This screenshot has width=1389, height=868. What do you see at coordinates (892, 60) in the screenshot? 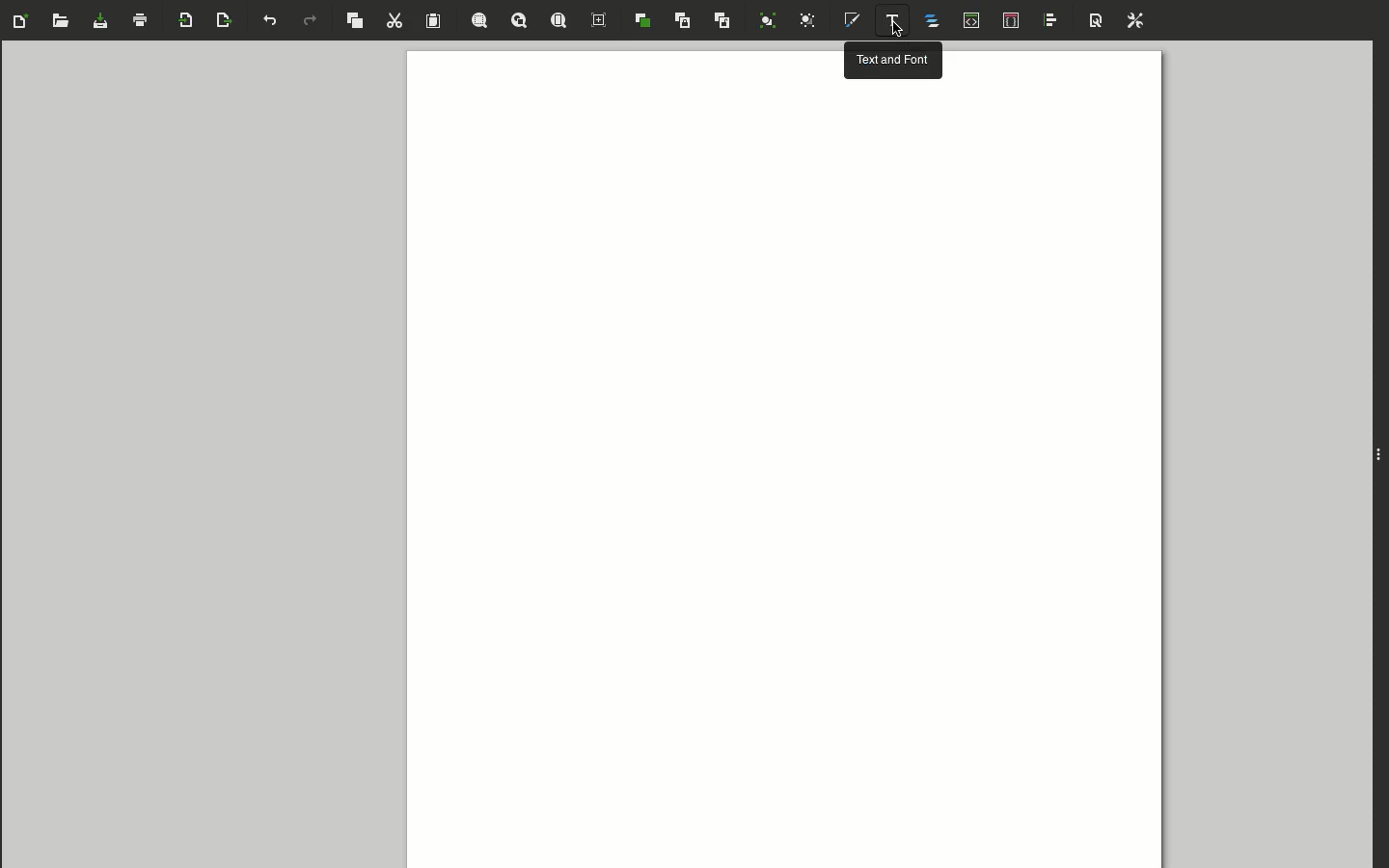
I see `Text and Font` at bounding box center [892, 60].